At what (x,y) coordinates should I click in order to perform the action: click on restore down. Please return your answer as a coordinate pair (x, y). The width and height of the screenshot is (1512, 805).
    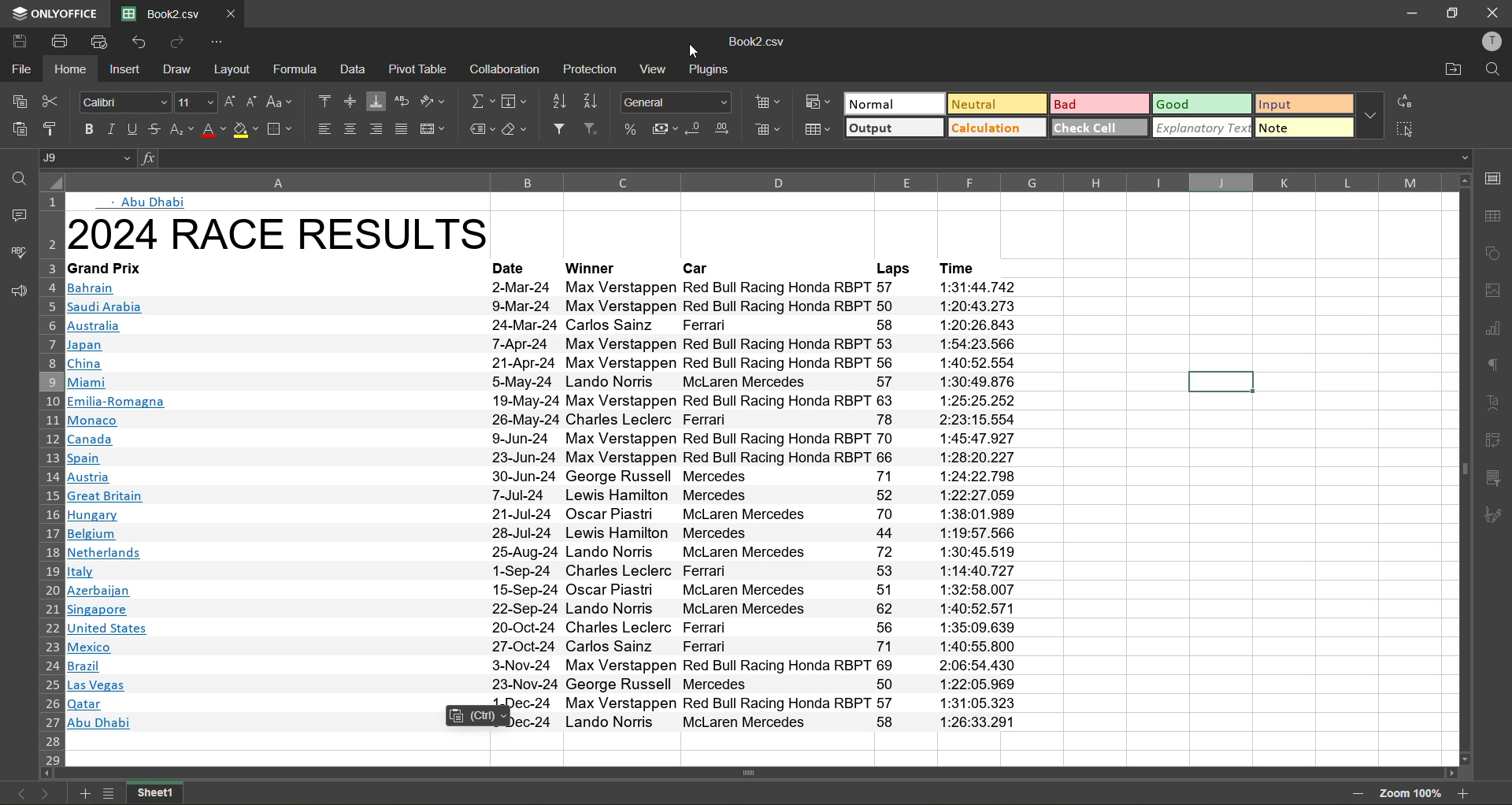
    Looking at the image, I should click on (1451, 13).